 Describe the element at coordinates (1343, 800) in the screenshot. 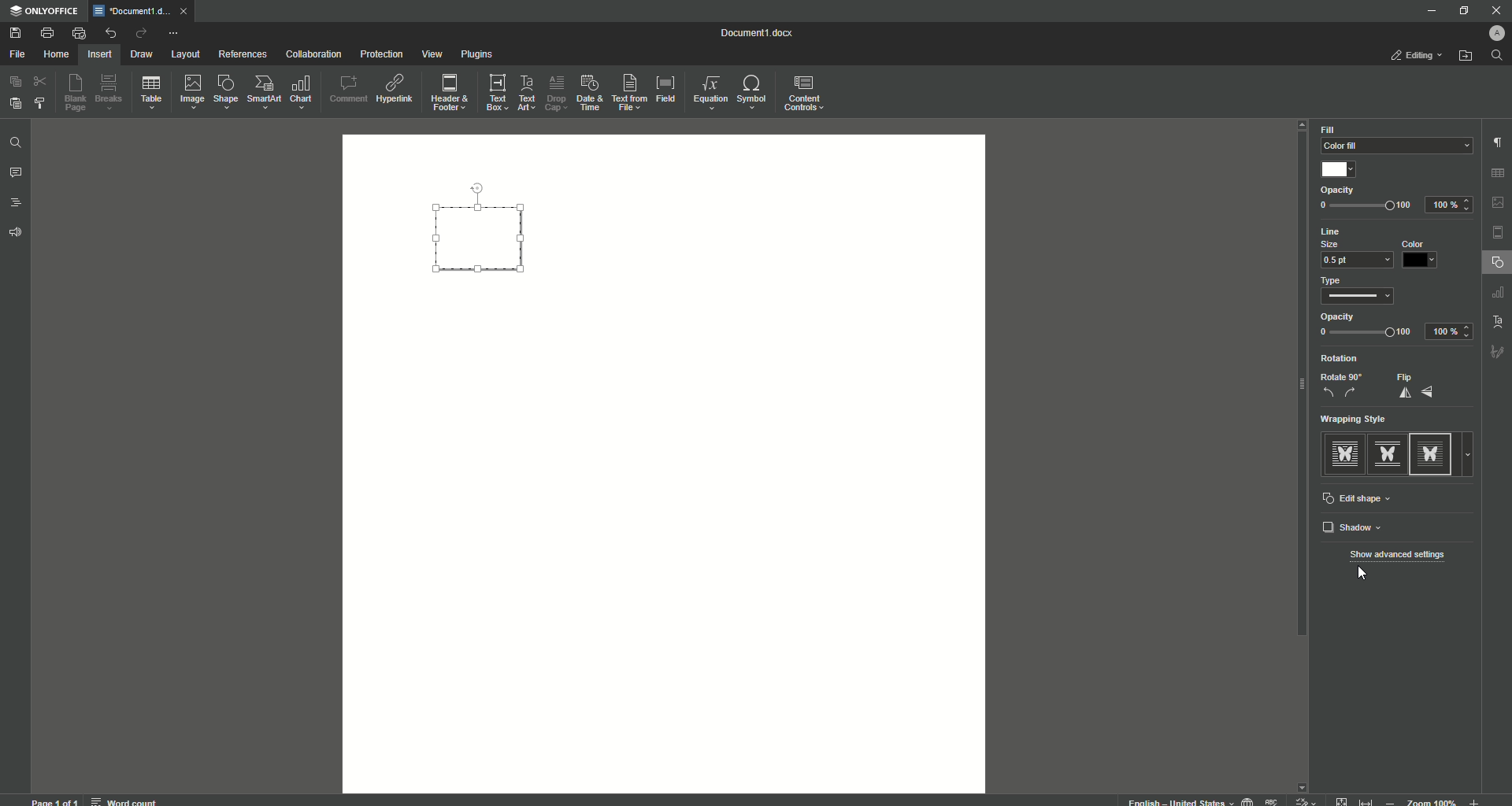

I see `fit to page` at that location.